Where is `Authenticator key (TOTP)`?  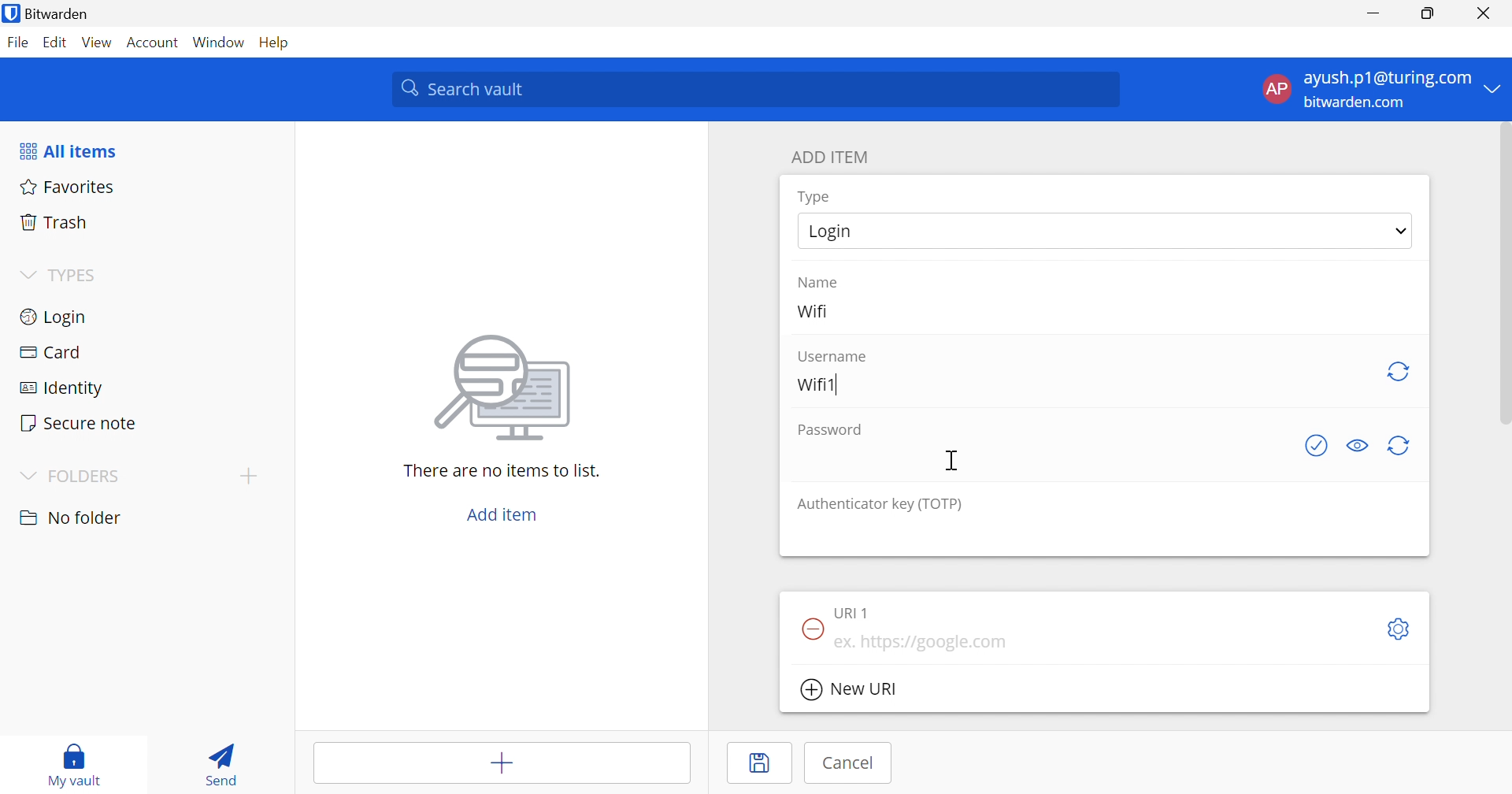
Authenticator key (TOTP) is located at coordinates (880, 504).